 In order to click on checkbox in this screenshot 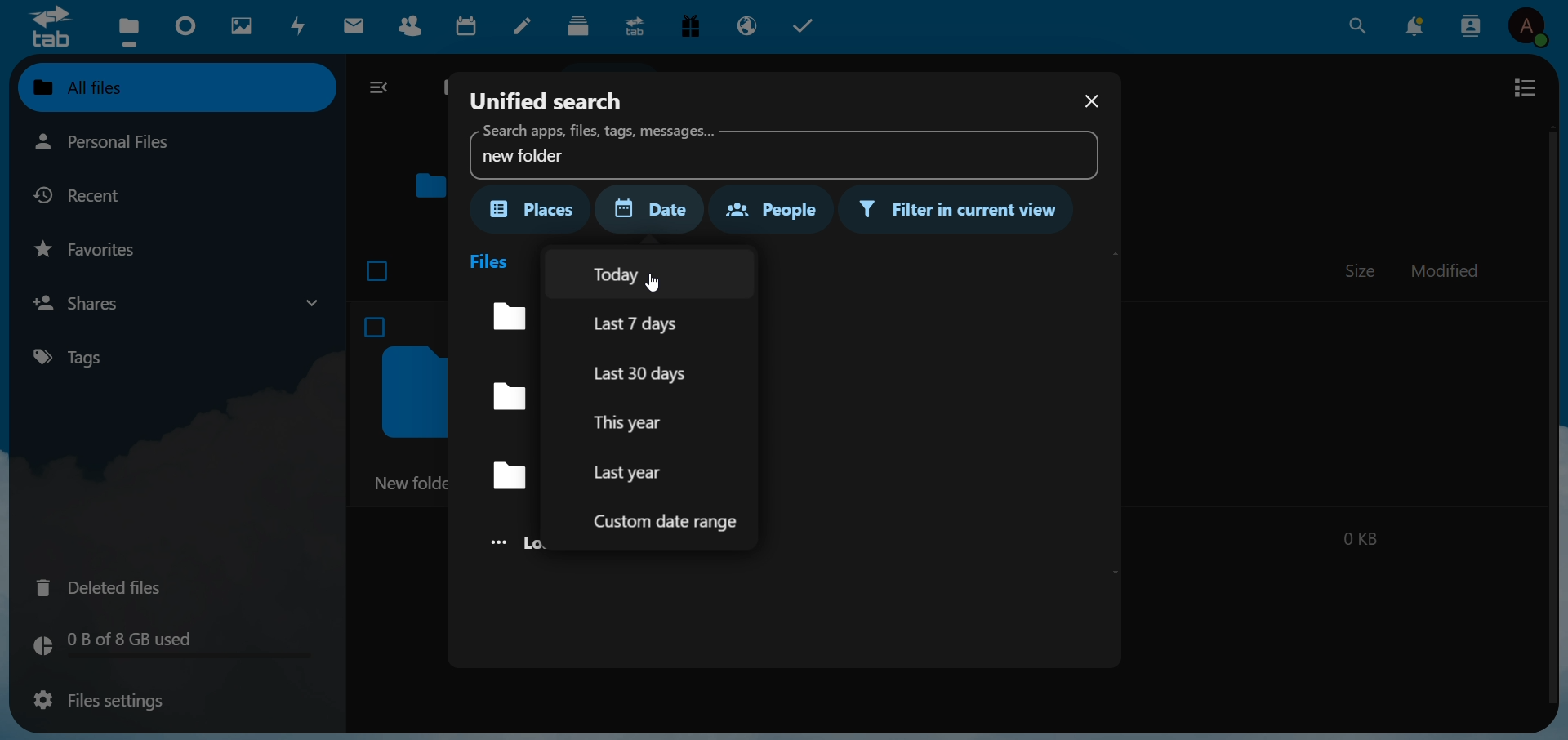, I will do `click(377, 324)`.